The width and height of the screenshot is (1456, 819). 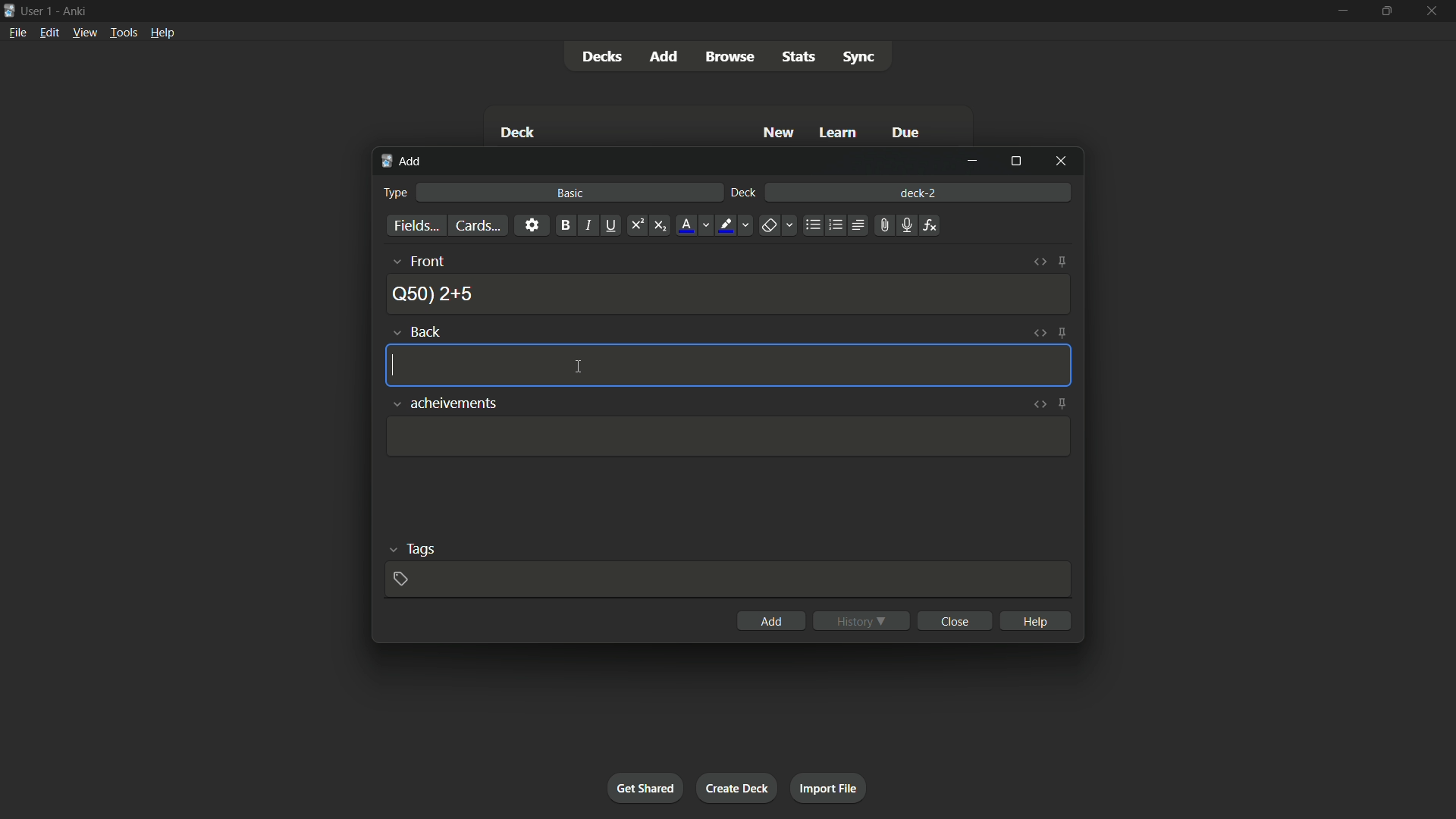 I want to click on maximize, so click(x=1386, y=11).